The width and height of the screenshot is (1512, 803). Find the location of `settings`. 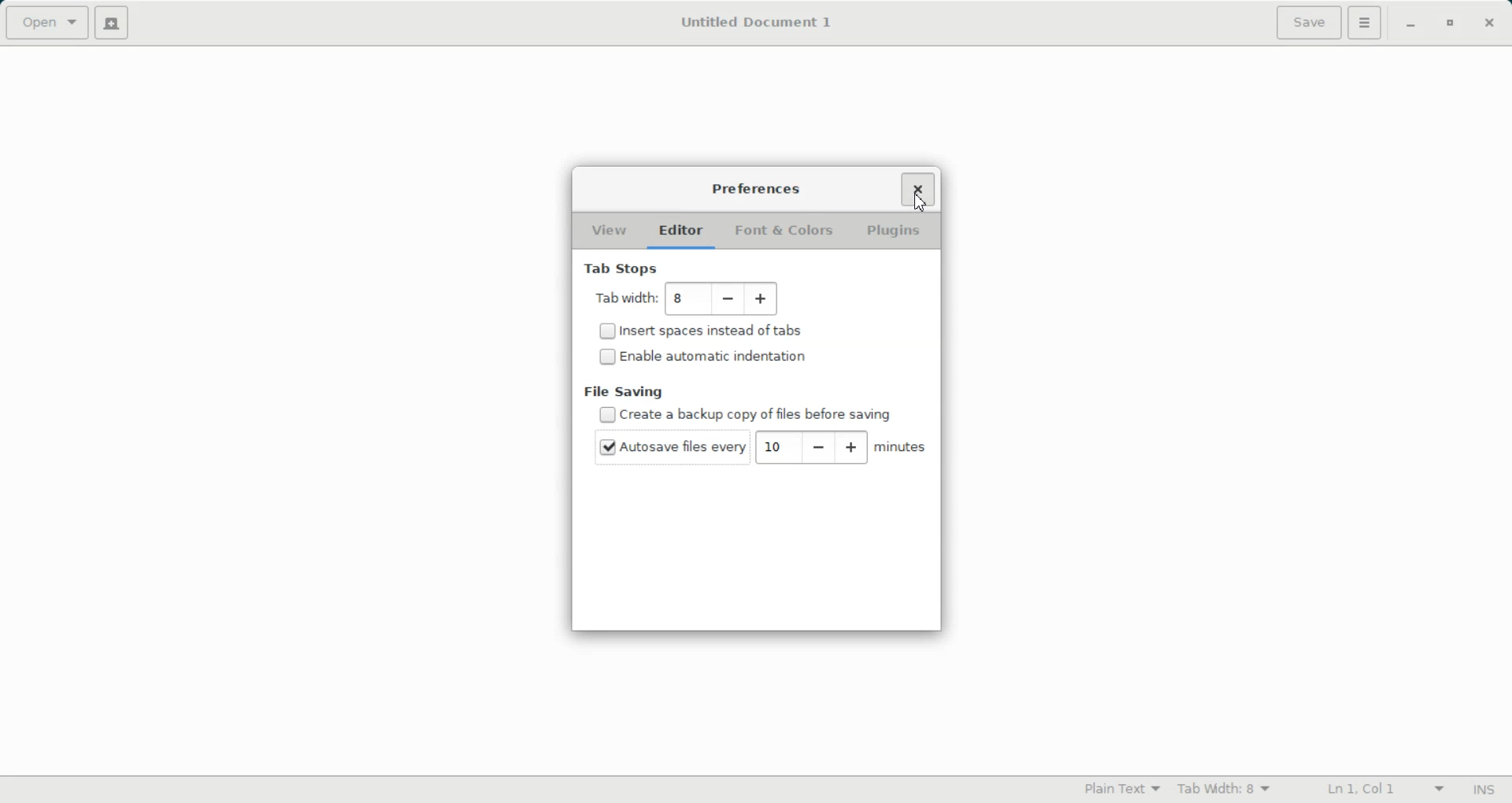

settings is located at coordinates (1364, 24).